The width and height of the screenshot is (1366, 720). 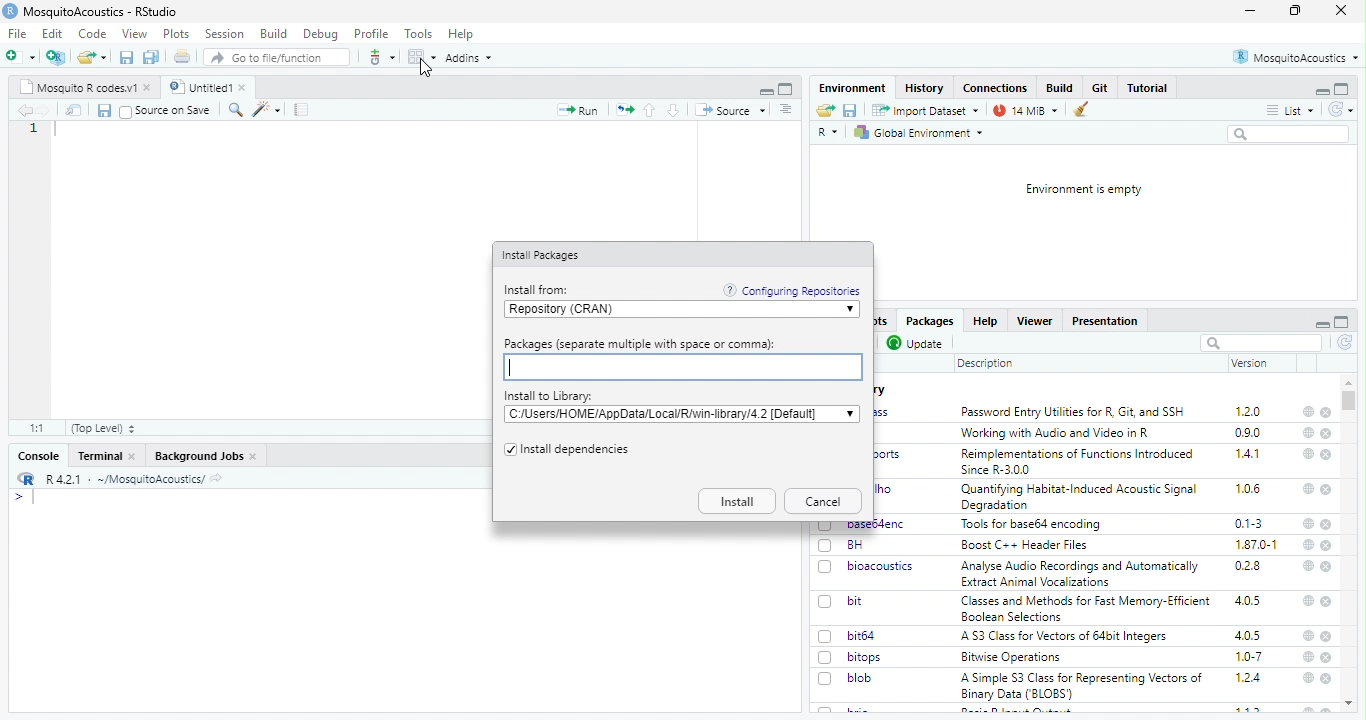 What do you see at coordinates (54, 33) in the screenshot?
I see `Edit` at bounding box center [54, 33].